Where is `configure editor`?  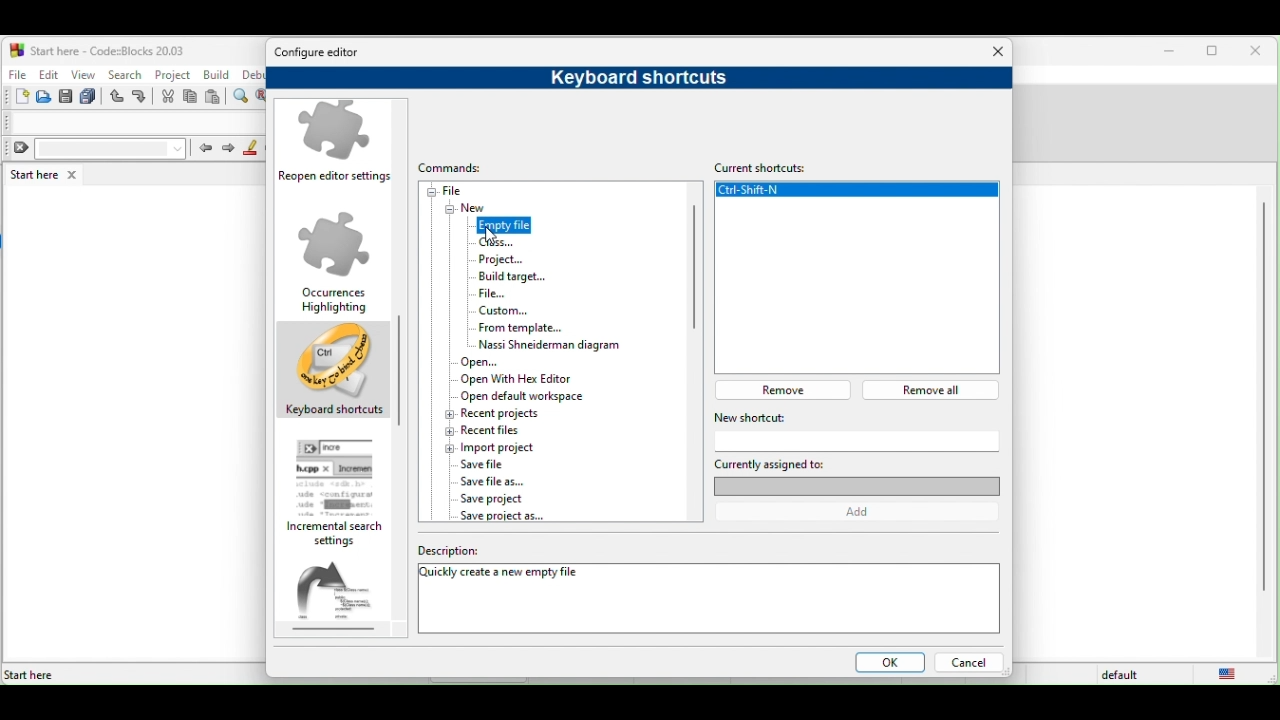 configure editor is located at coordinates (323, 53).